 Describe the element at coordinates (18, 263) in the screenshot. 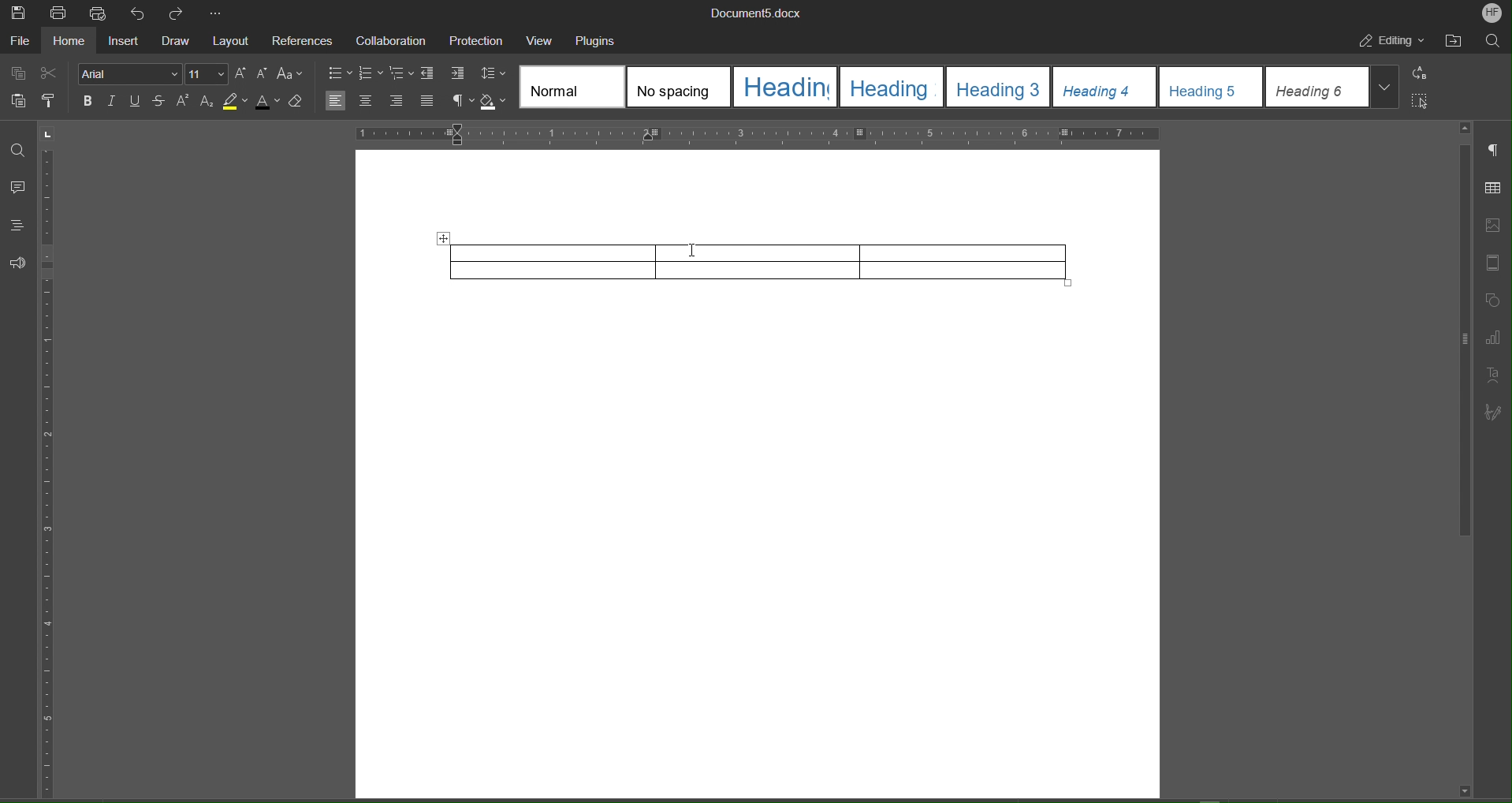

I see `Feedback and Support` at that location.